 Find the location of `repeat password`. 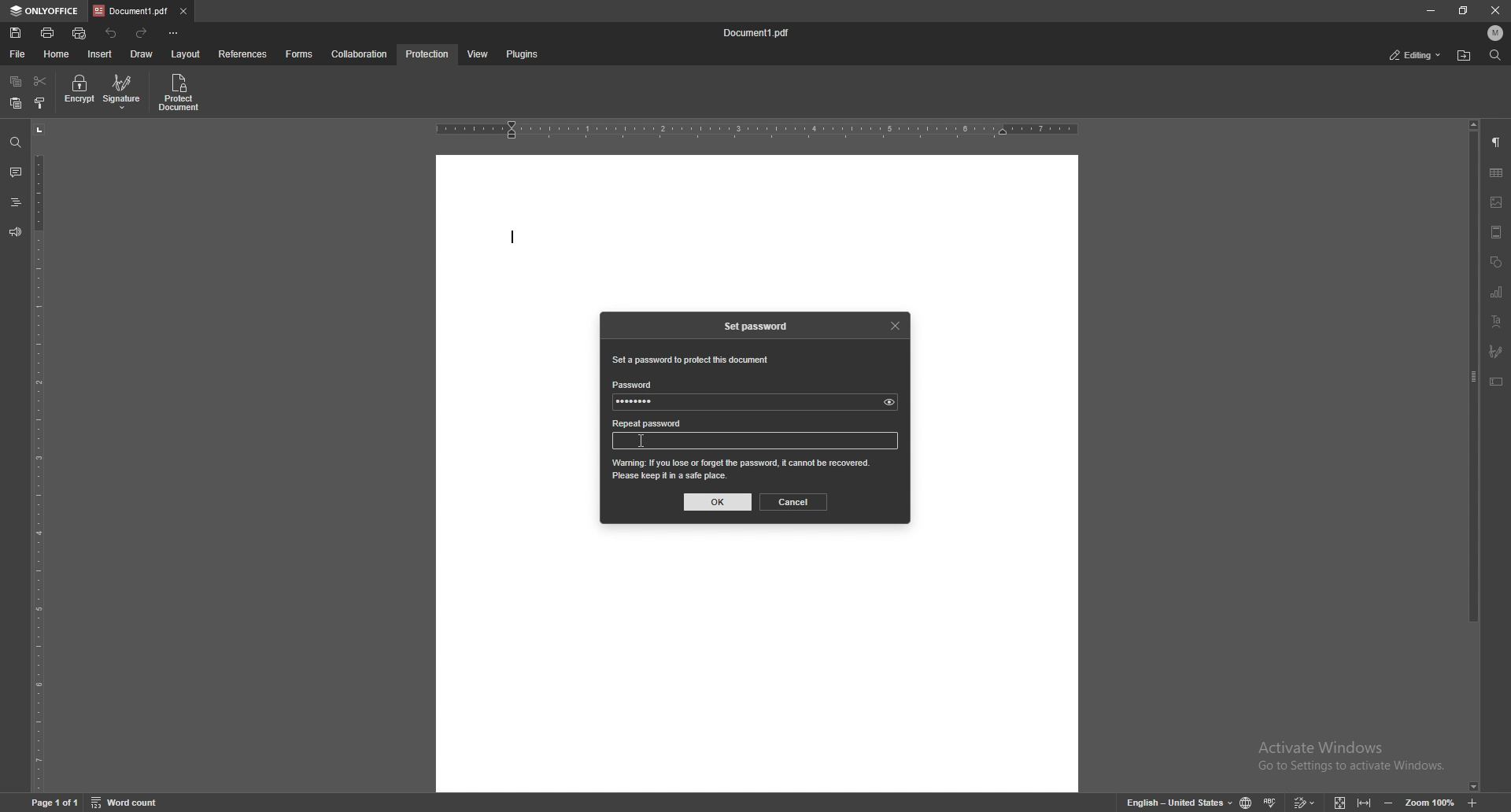

repeat password is located at coordinates (650, 425).